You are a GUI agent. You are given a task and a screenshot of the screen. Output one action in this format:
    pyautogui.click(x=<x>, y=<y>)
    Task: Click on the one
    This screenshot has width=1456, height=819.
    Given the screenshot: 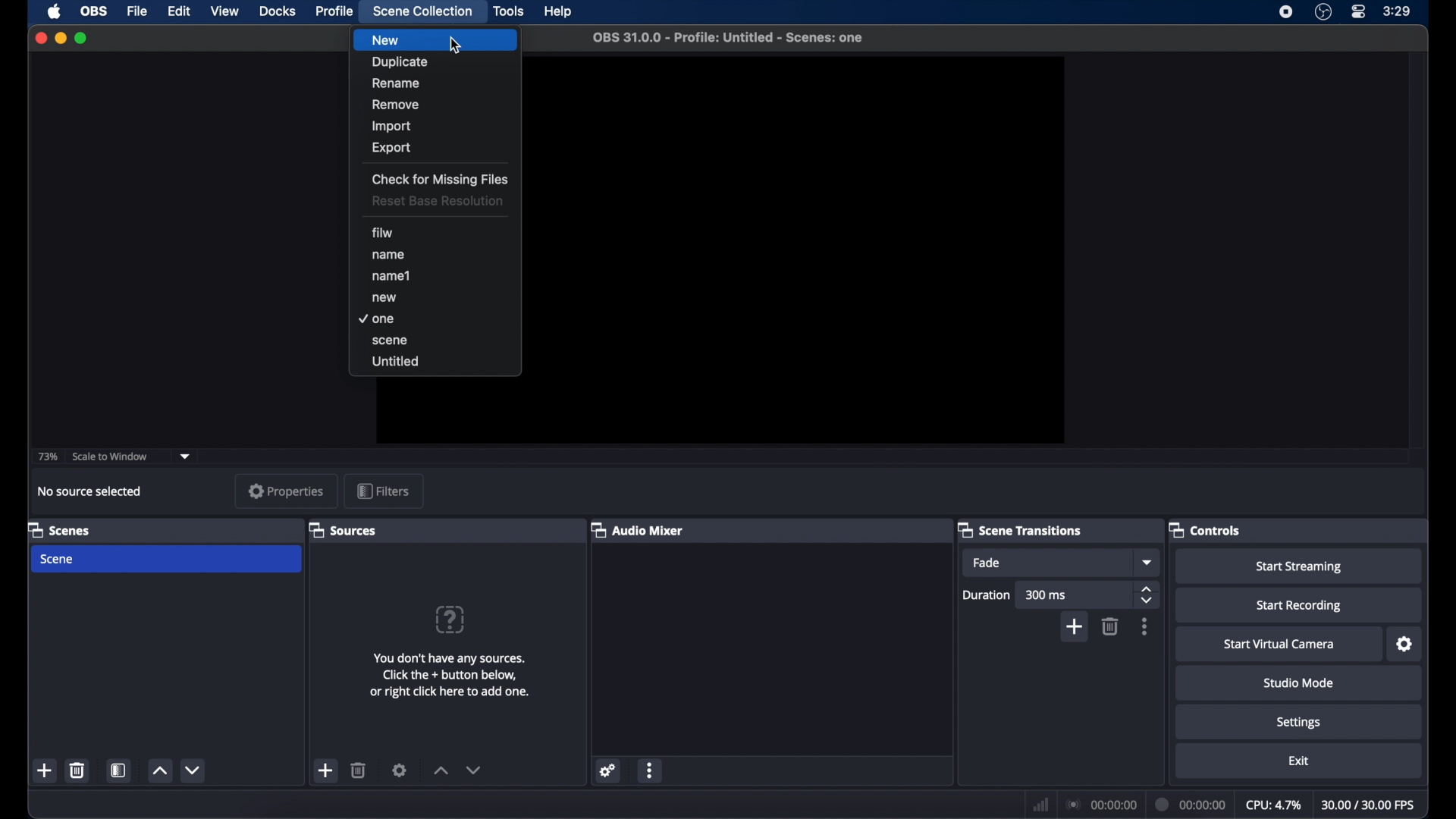 What is the action you would take?
    pyautogui.click(x=431, y=320)
    